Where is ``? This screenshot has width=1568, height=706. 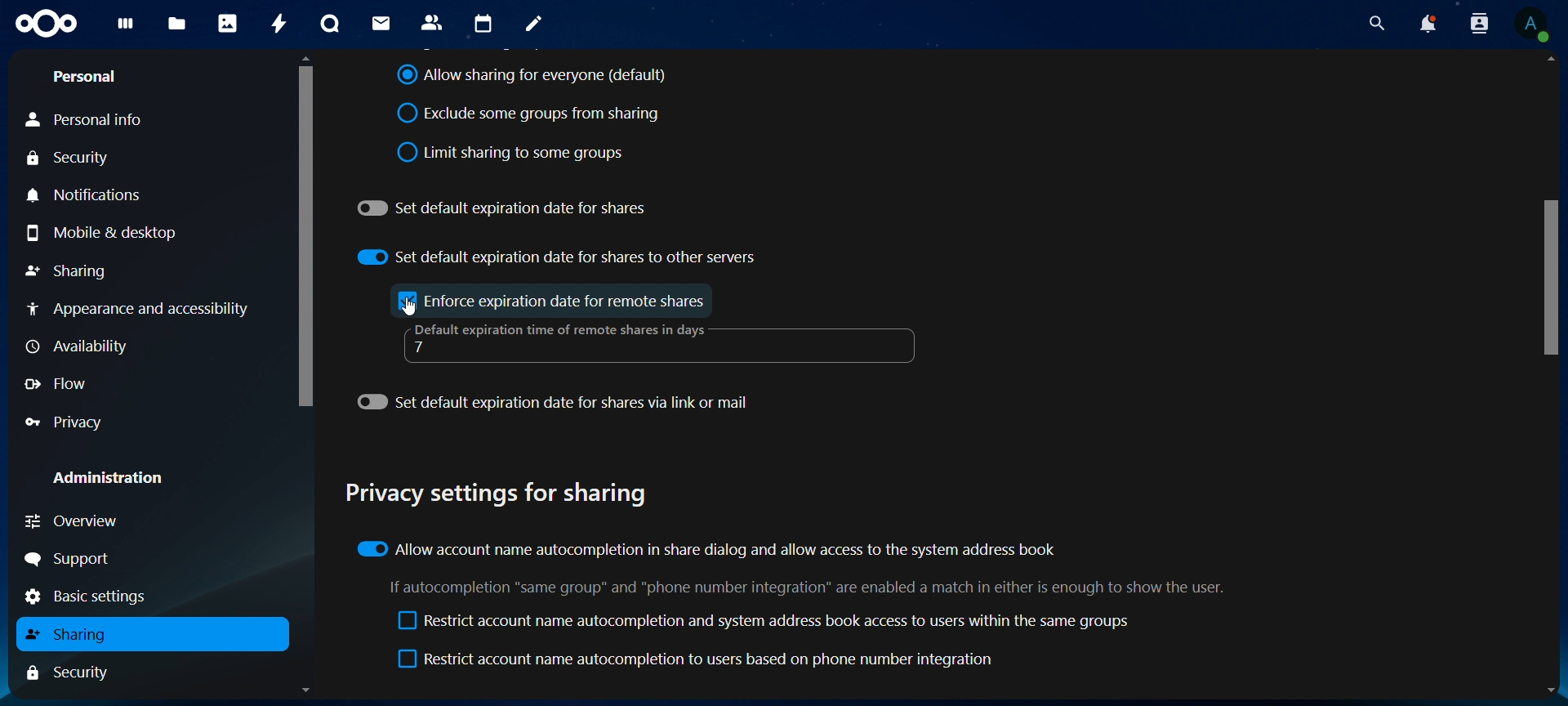
 is located at coordinates (406, 300).